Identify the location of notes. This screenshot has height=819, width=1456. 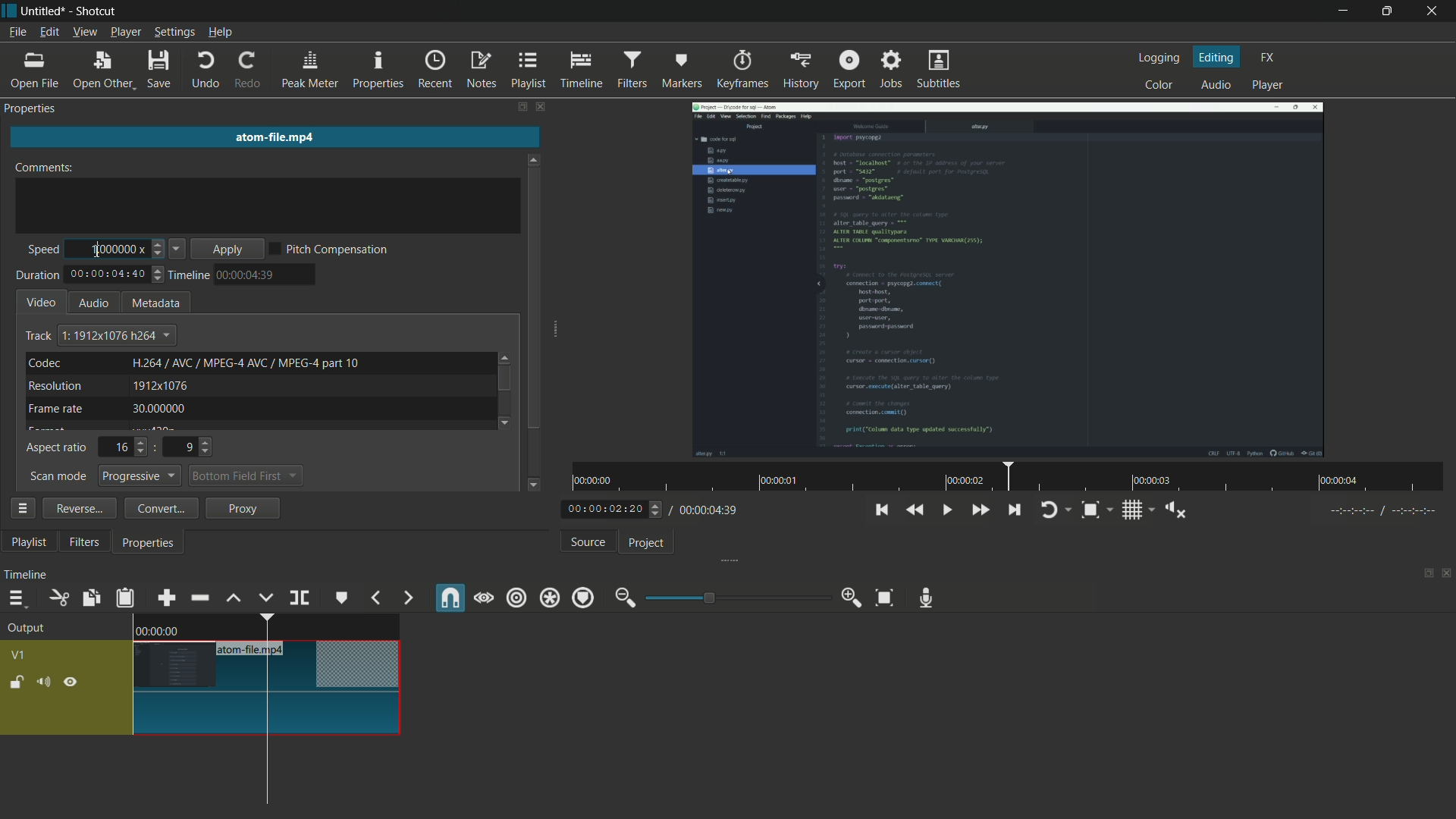
(480, 71).